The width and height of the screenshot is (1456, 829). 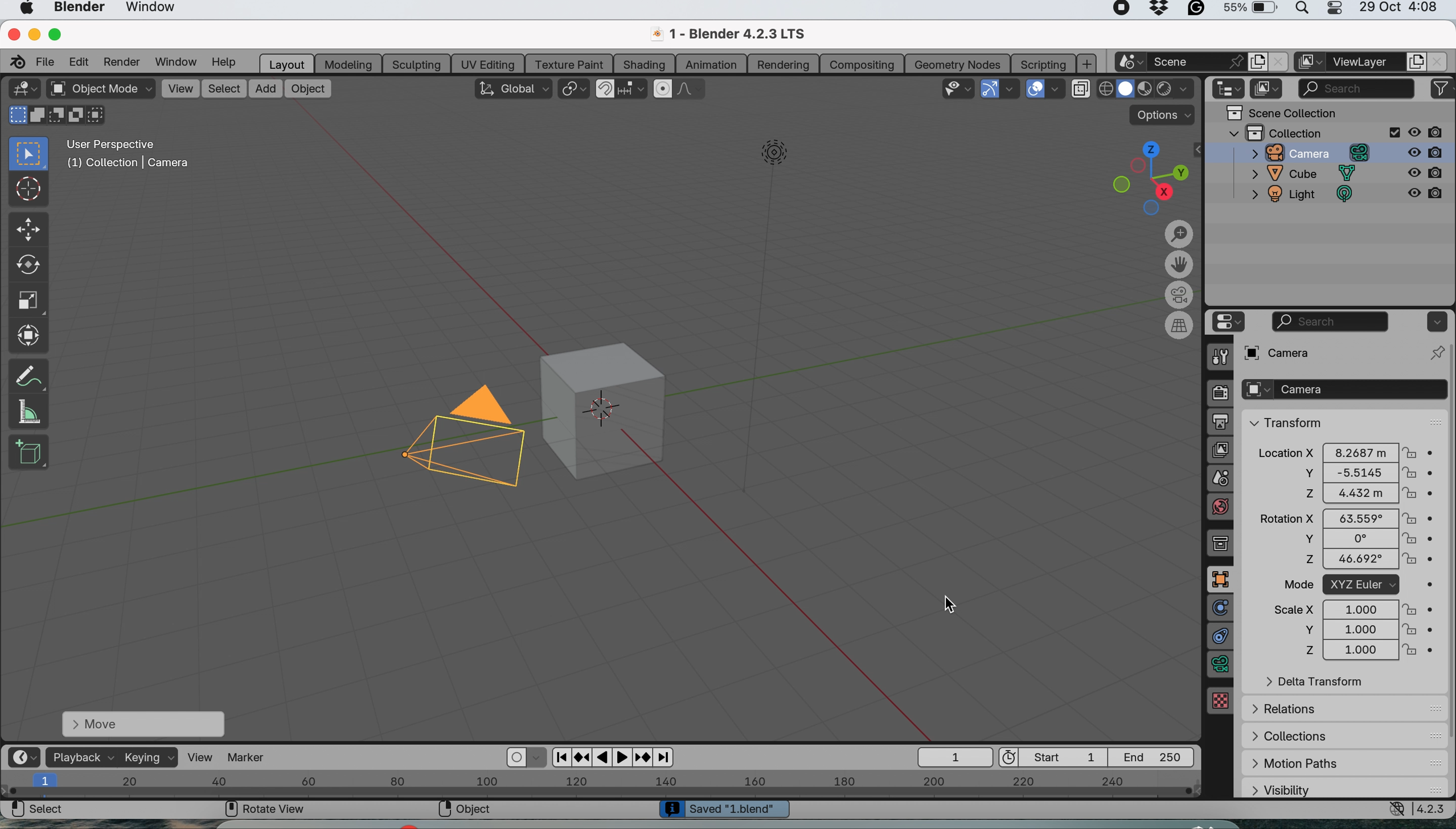 What do you see at coordinates (1164, 115) in the screenshot?
I see `options` at bounding box center [1164, 115].